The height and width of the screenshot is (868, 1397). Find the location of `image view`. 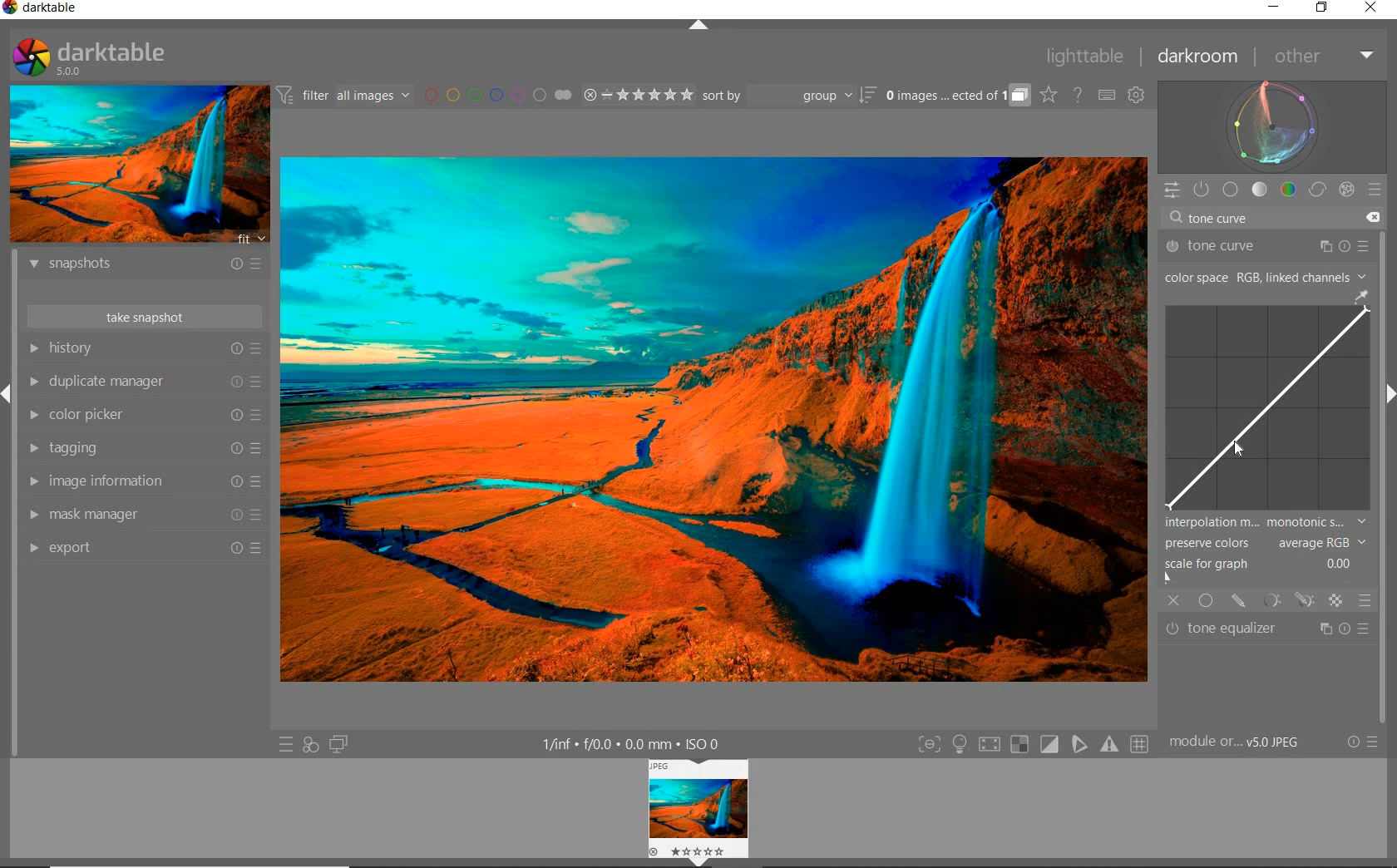

image view is located at coordinates (693, 806).